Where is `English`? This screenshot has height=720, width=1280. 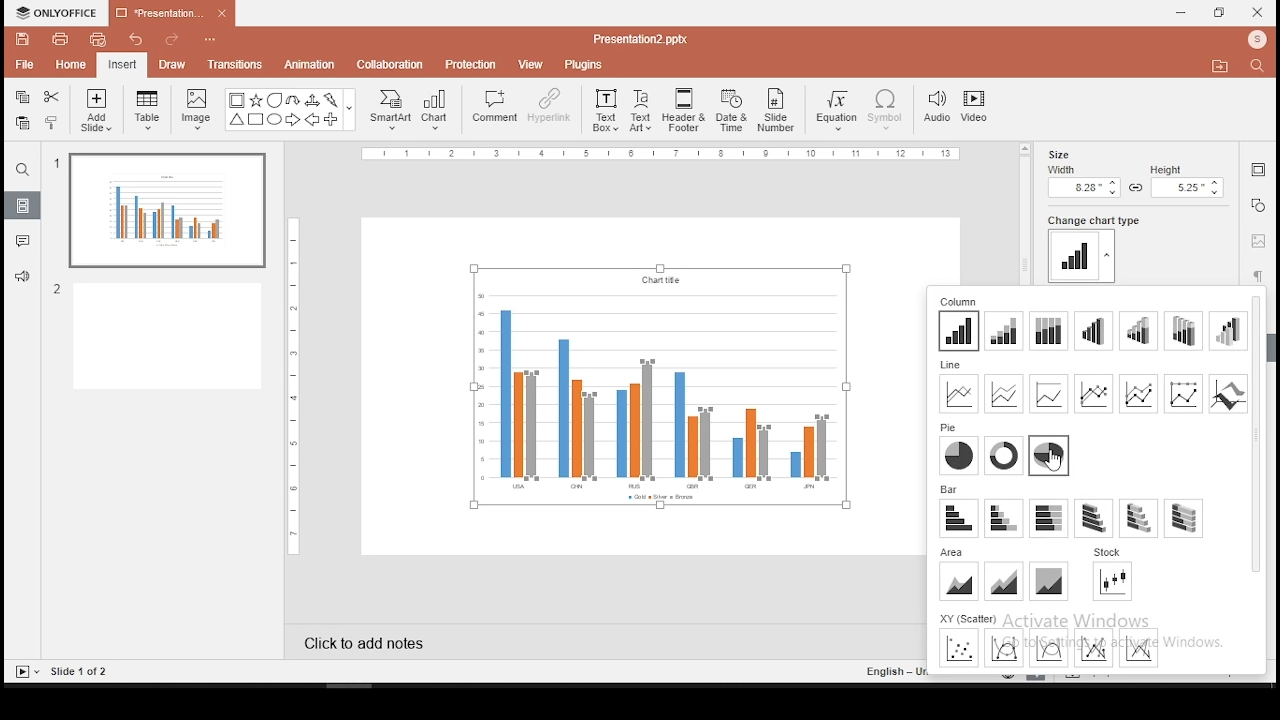 English is located at coordinates (897, 670).